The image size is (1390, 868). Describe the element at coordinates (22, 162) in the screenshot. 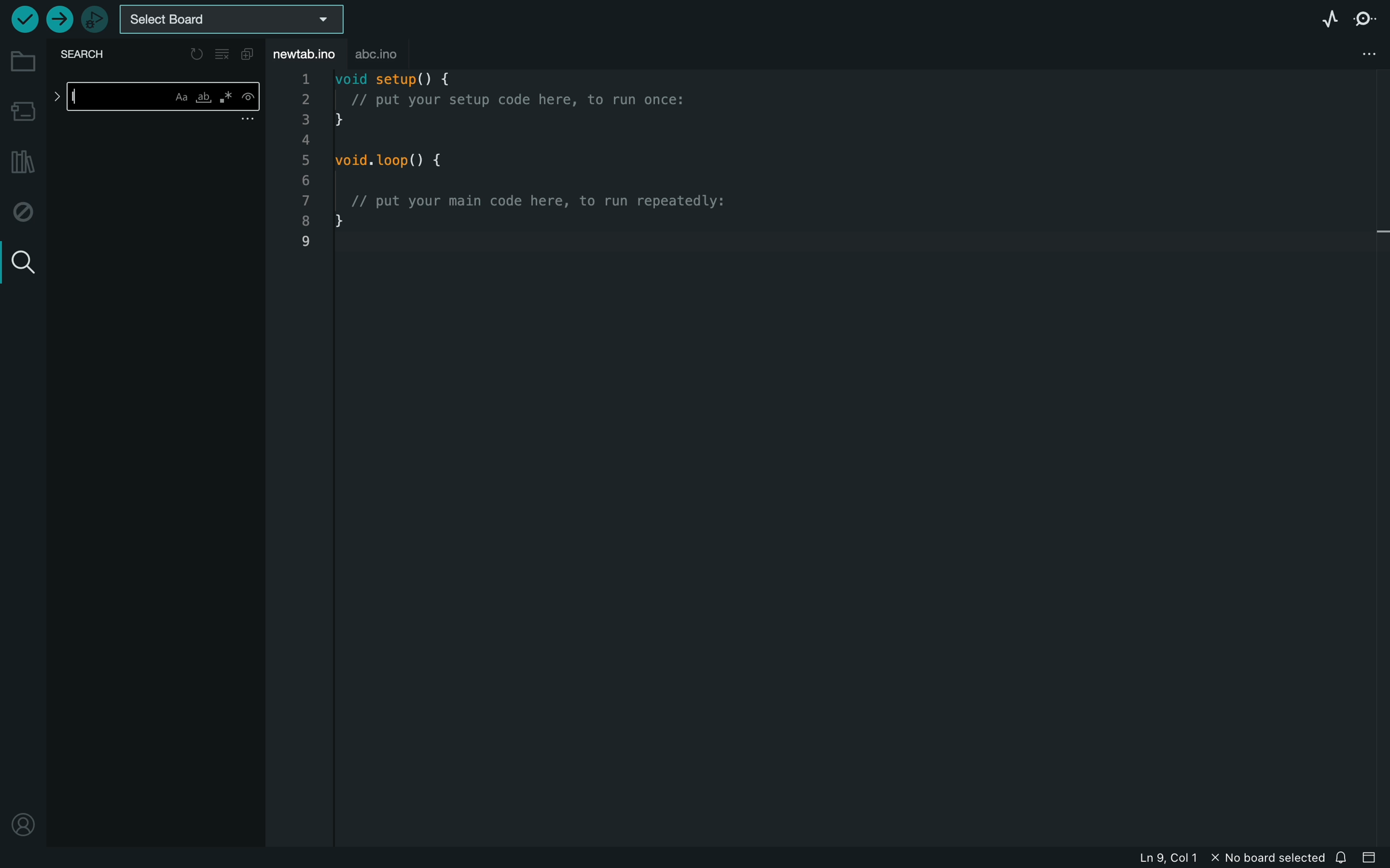

I see `library manager` at that location.